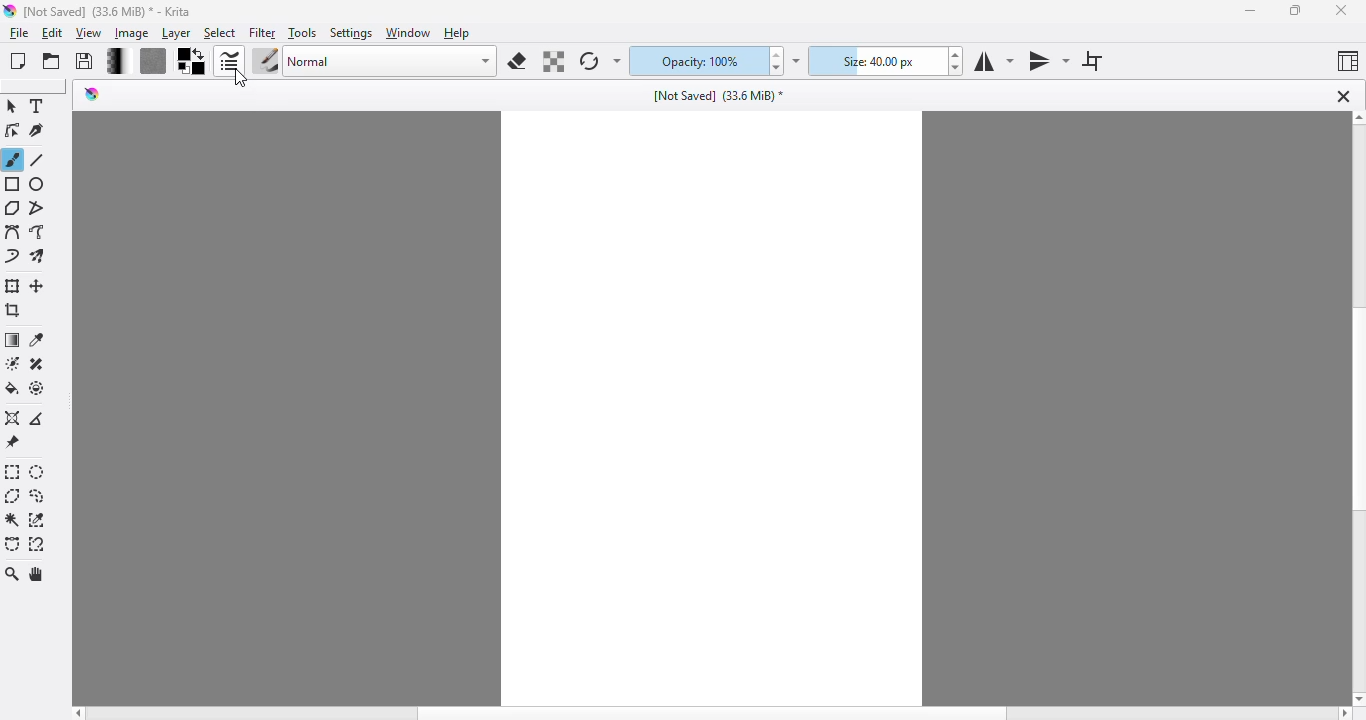  I want to click on crop the image to an area, so click(12, 311).